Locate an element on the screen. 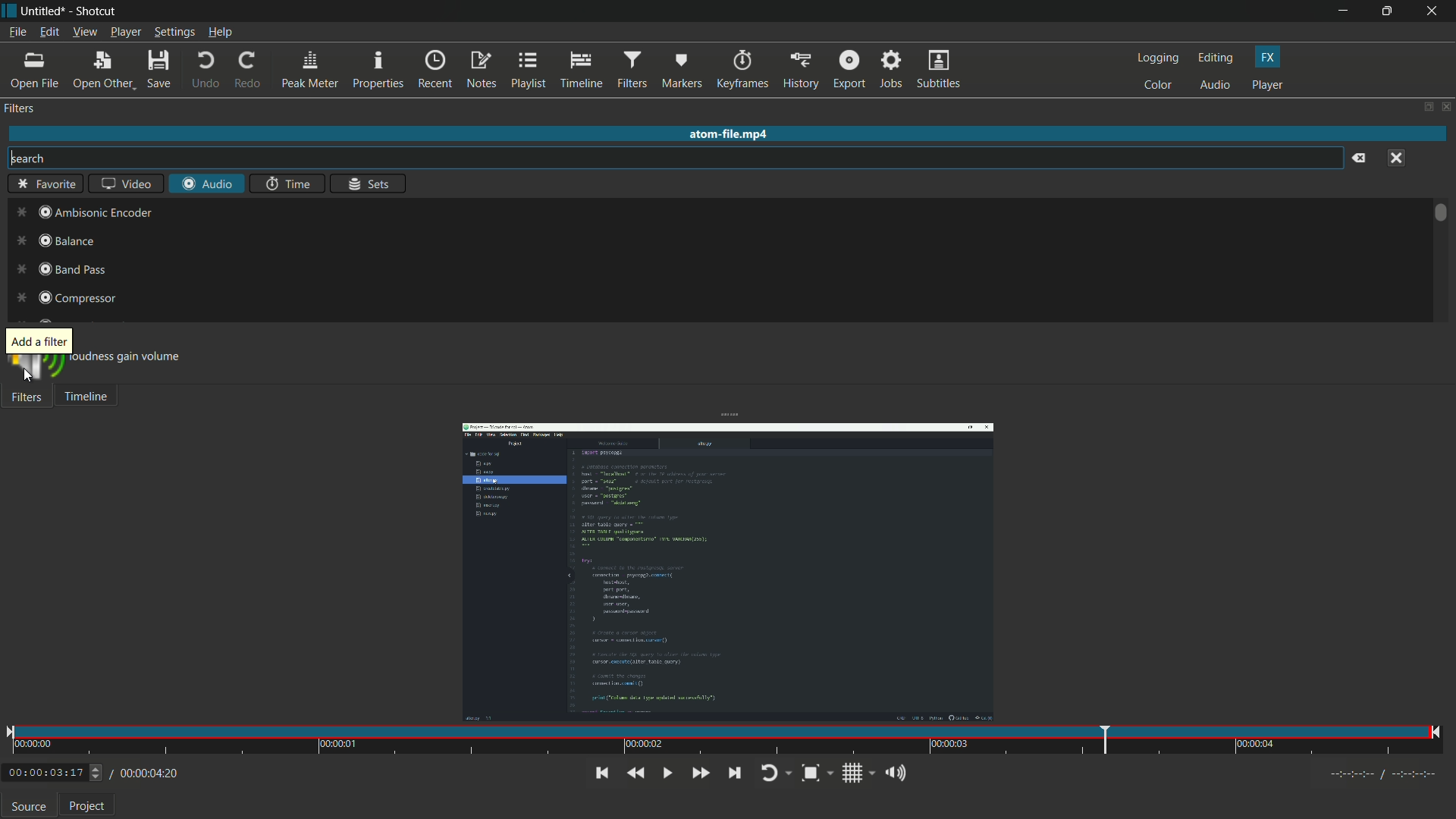 The height and width of the screenshot is (819, 1456). clear search is located at coordinates (1359, 159).